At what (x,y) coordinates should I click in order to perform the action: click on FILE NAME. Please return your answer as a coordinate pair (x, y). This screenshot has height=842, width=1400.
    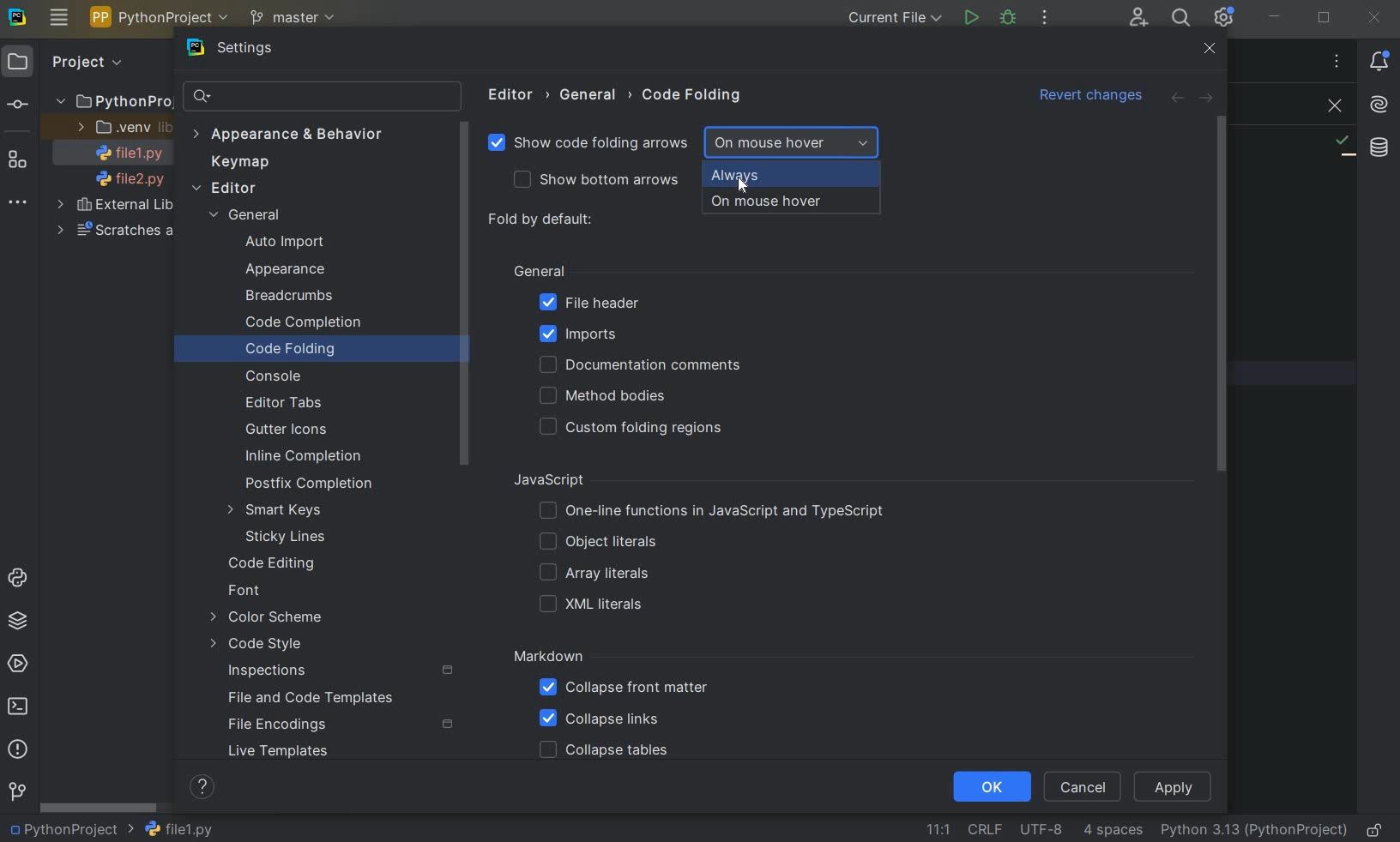
    Looking at the image, I should click on (178, 829).